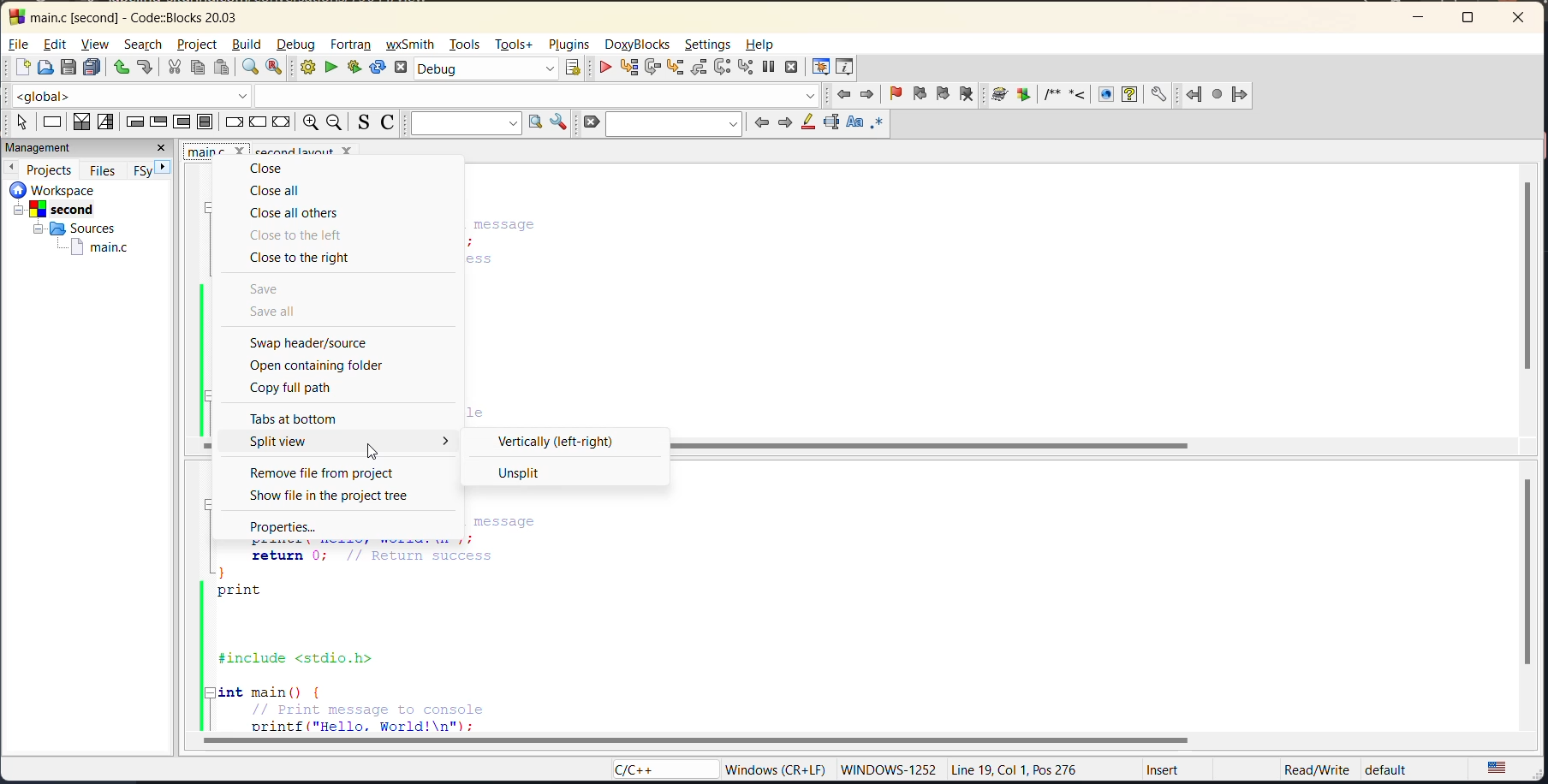 This screenshot has height=784, width=1548. I want to click on management, so click(44, 146).